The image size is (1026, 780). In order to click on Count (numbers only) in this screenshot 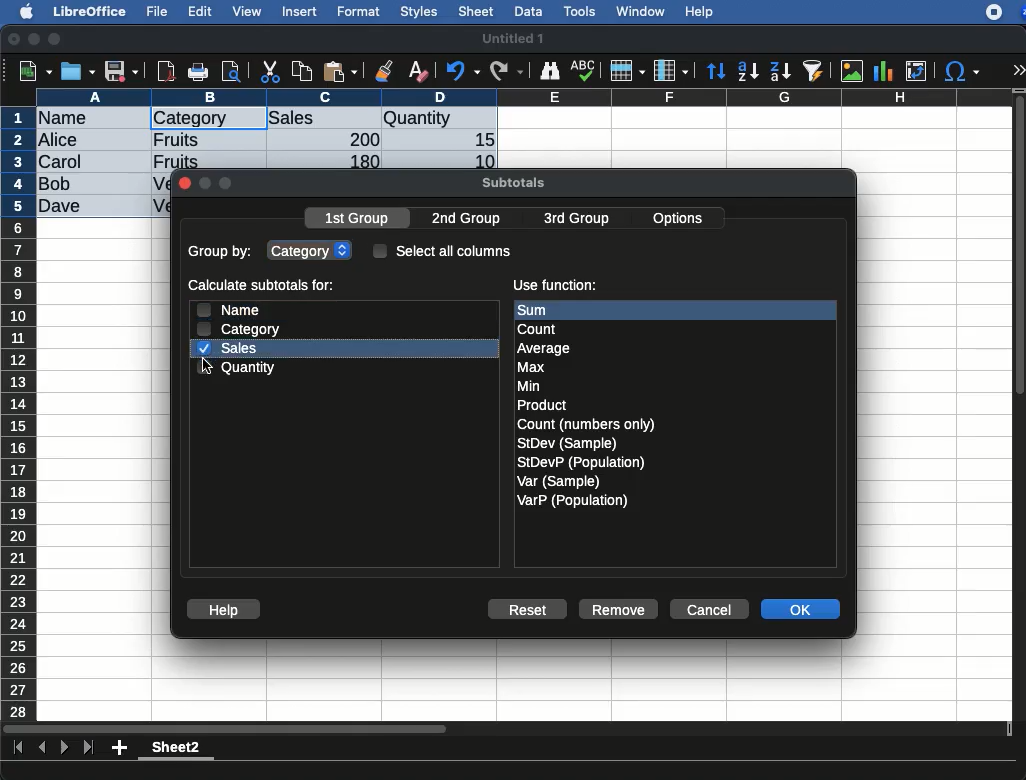, I will do `click(588, 424)`.